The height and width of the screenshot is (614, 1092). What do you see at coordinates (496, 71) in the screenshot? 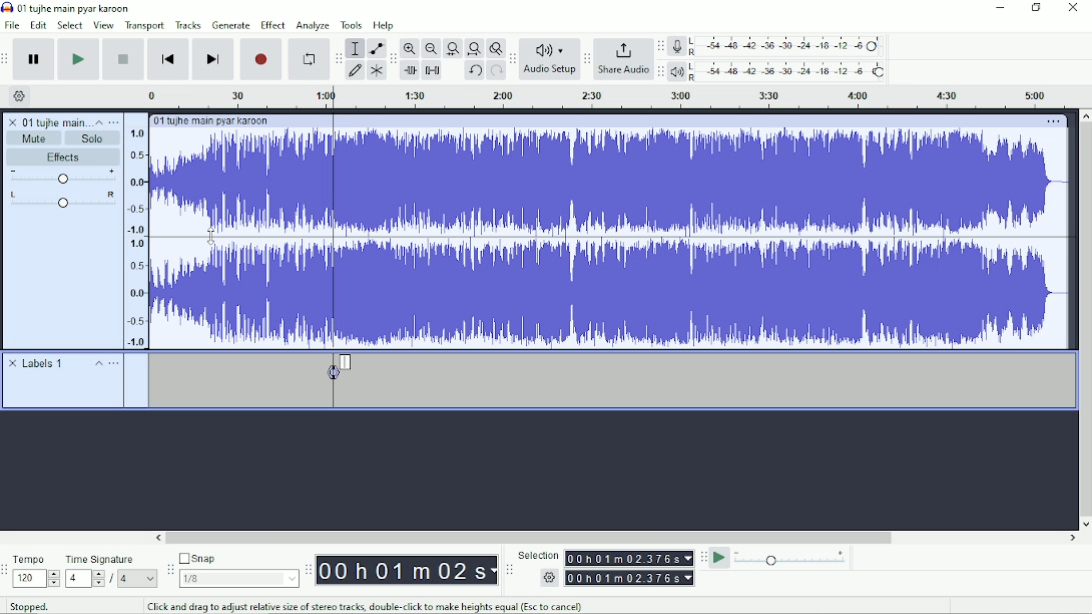
I see `Redo` at bounding box center [496, 71].